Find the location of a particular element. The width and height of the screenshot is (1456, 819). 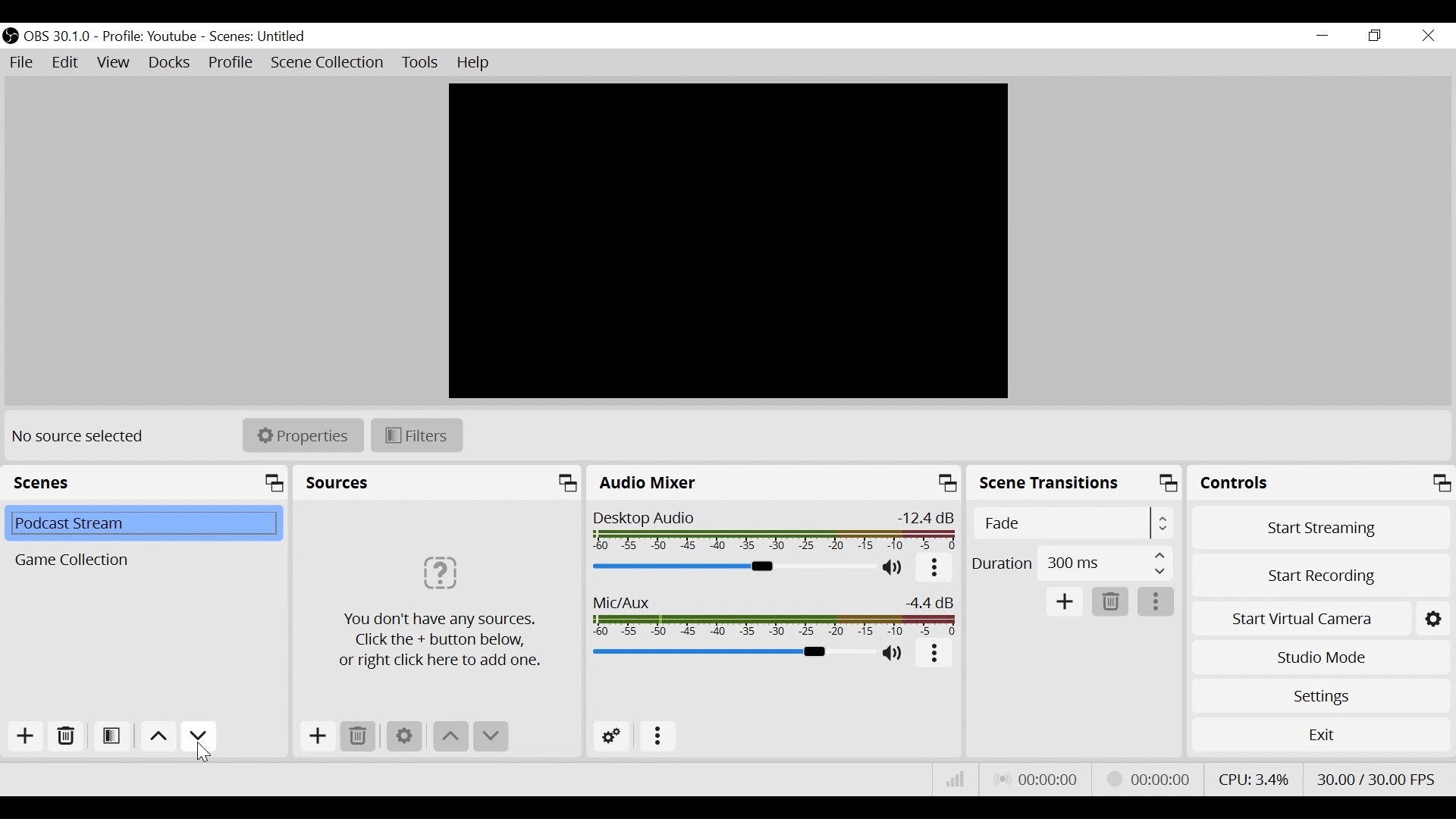

Mic/Aux is located at coordinates (776, 616).